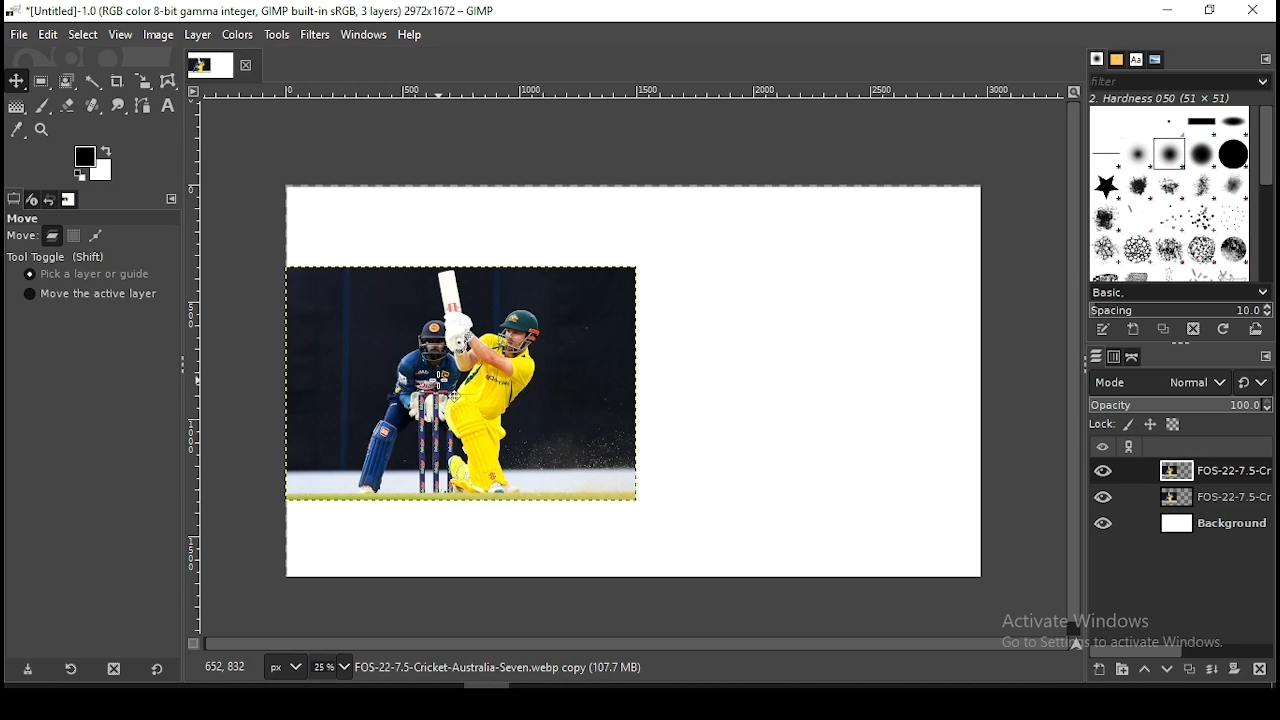 The width and height of the screenshot is (1280, 720). What do you see at coordinates (1119, 631) in the screenshot?
I see `text` at bounding box center [1119, 631].